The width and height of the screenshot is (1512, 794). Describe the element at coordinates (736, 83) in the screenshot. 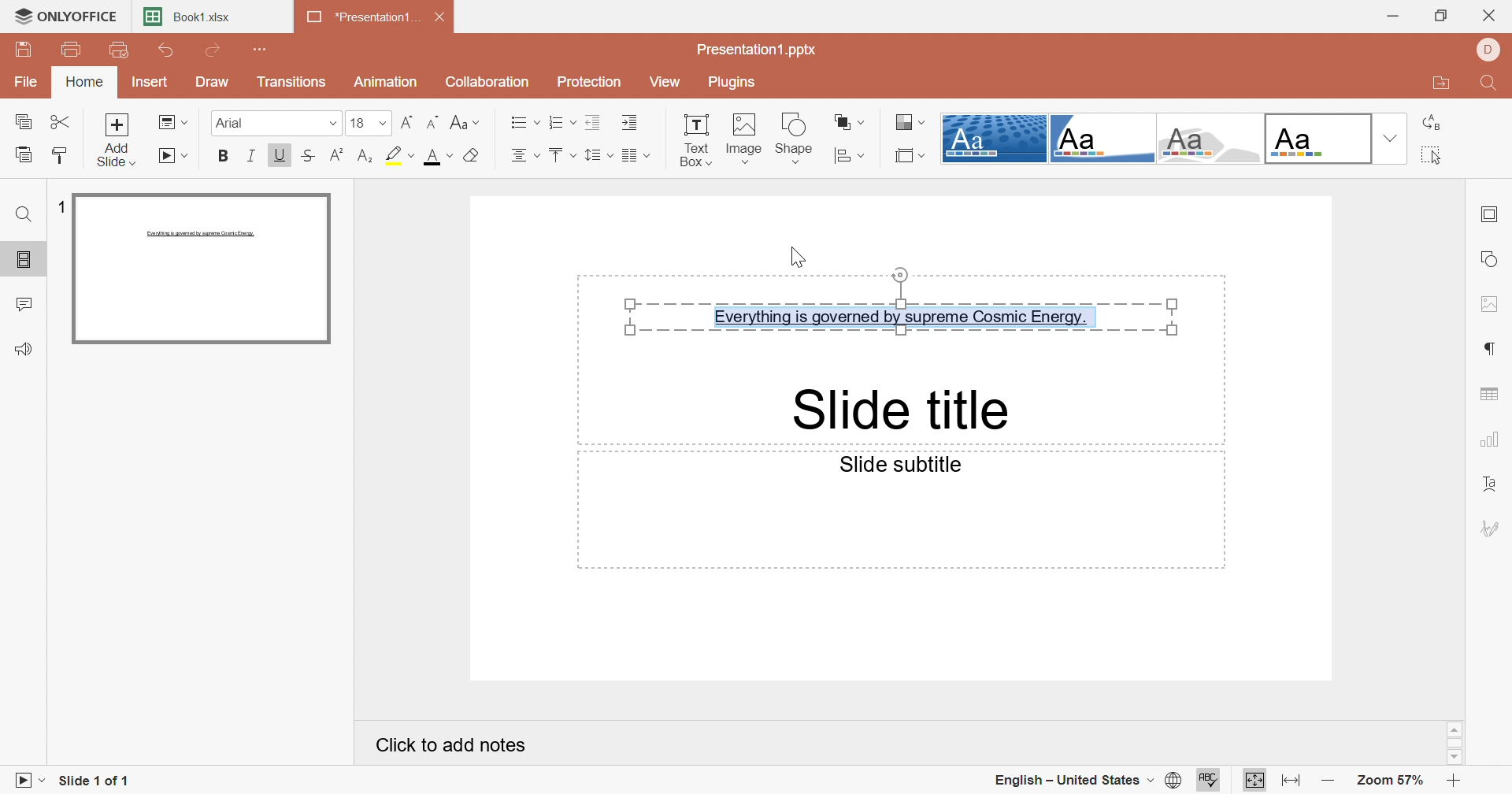

I see `Plugins` at that location.